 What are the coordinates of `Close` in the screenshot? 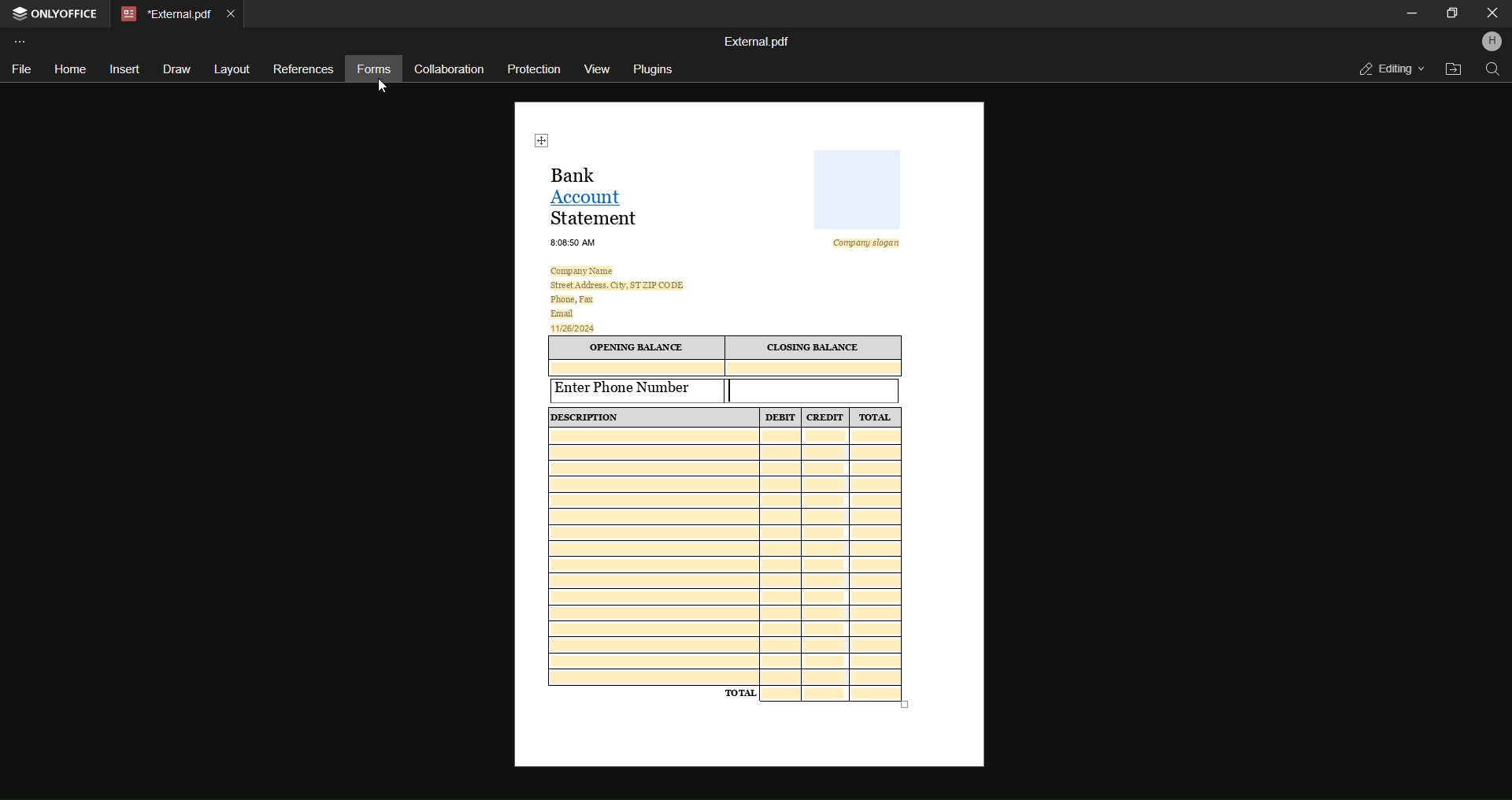 It's located at (1489, 13).